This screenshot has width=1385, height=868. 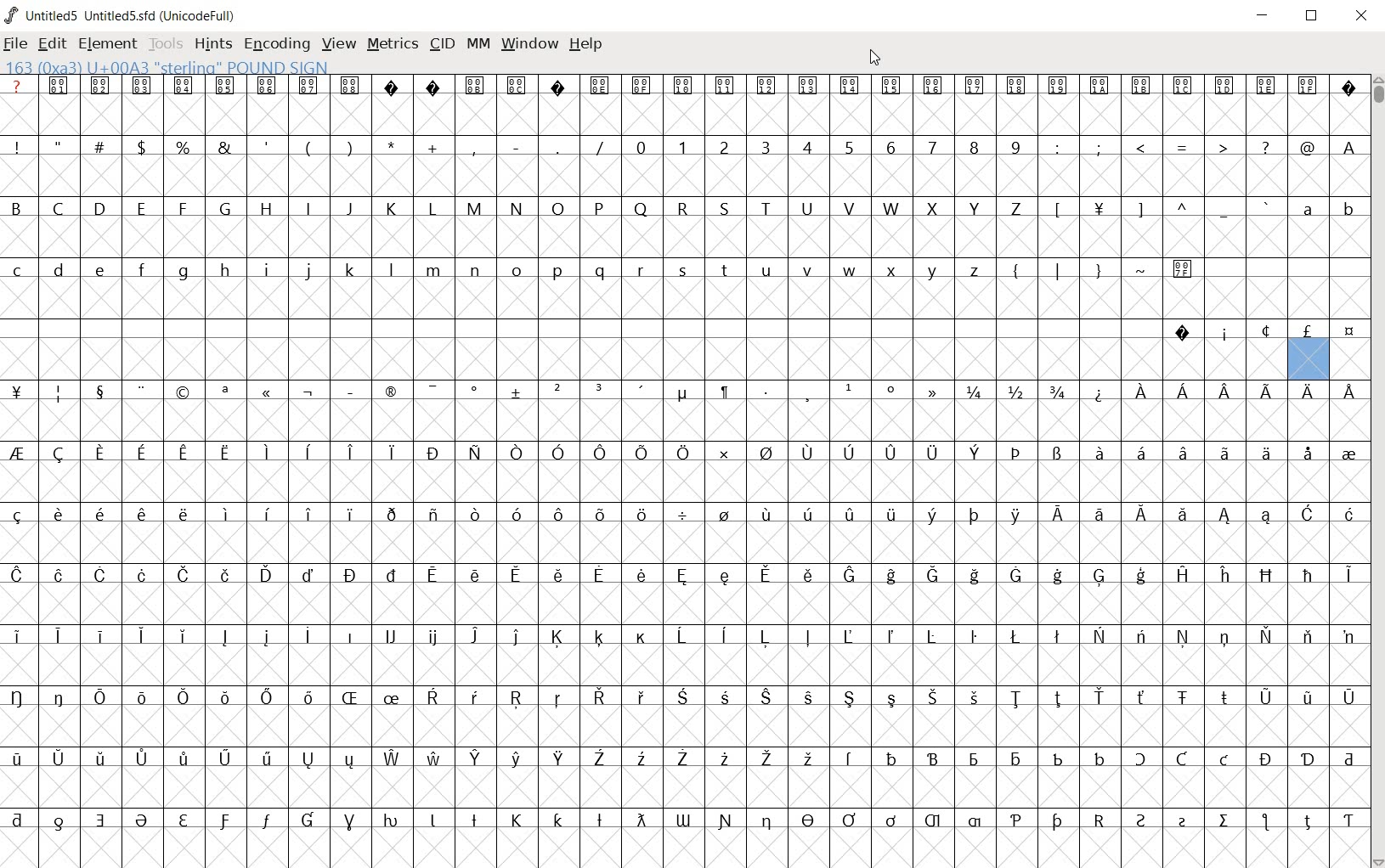 What do you see at coordinates (1307, 453) in the screenshot?
I see `Symbol` at bounding box center [1307, 453].